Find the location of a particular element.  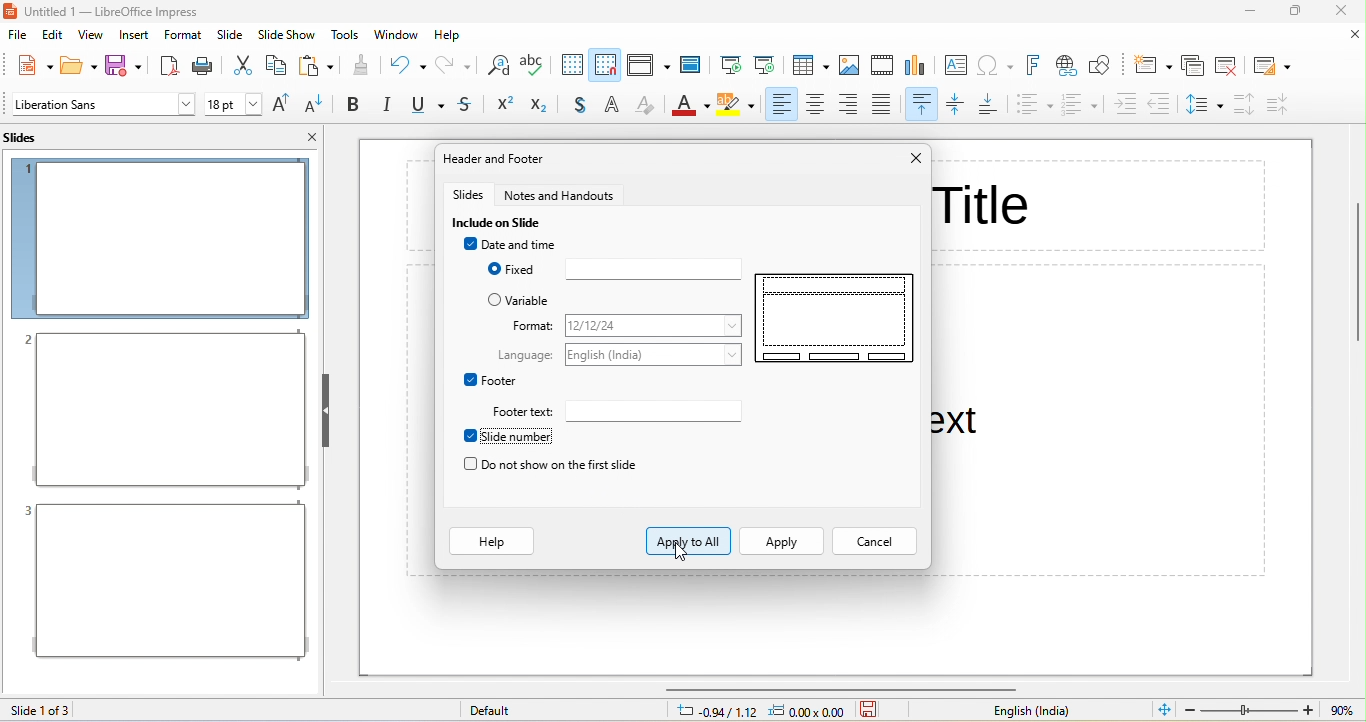

table is located at coordinates (812, 66).